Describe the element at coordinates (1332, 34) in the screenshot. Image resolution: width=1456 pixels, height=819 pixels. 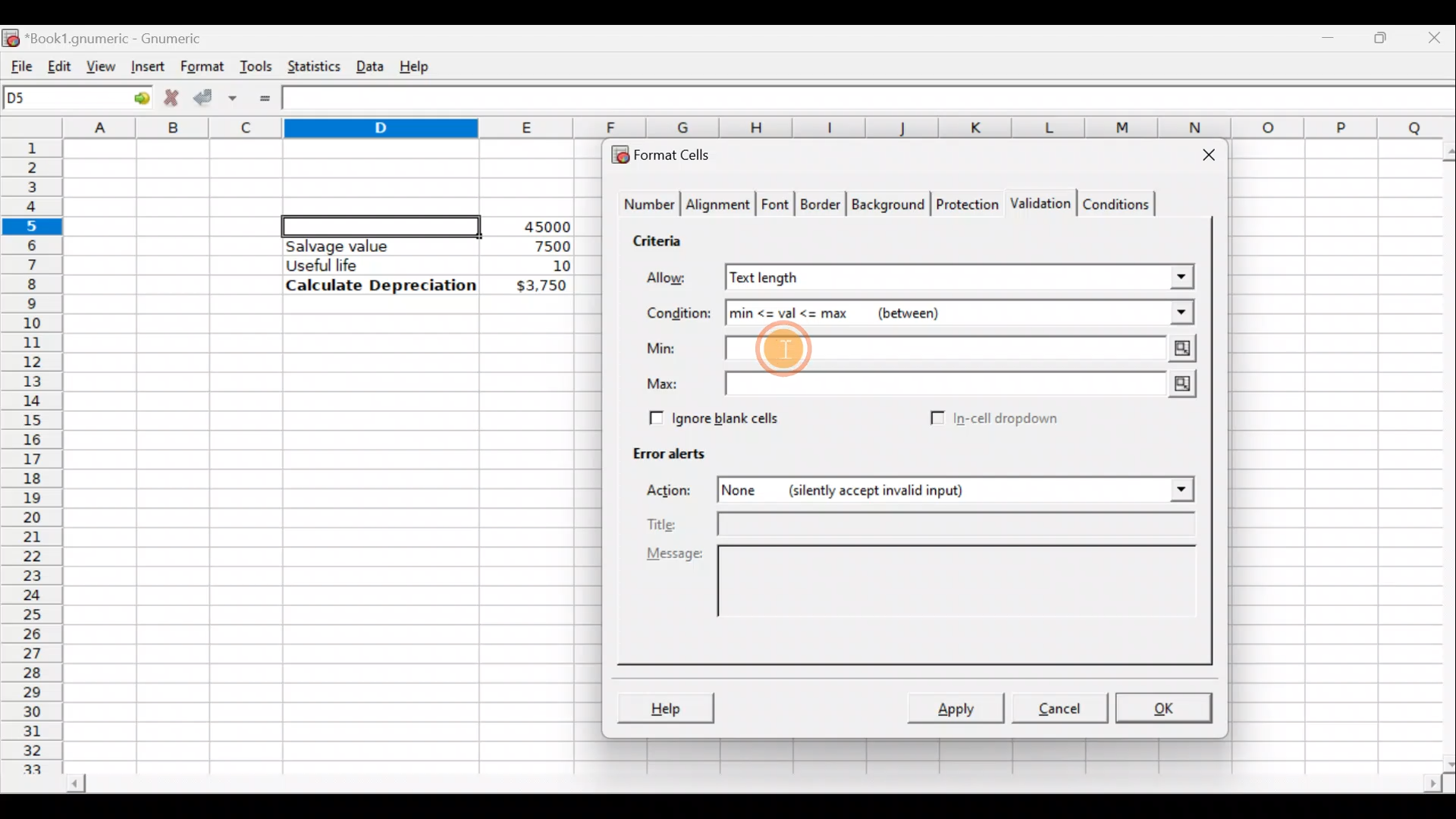
I see `Minimize` at that location.